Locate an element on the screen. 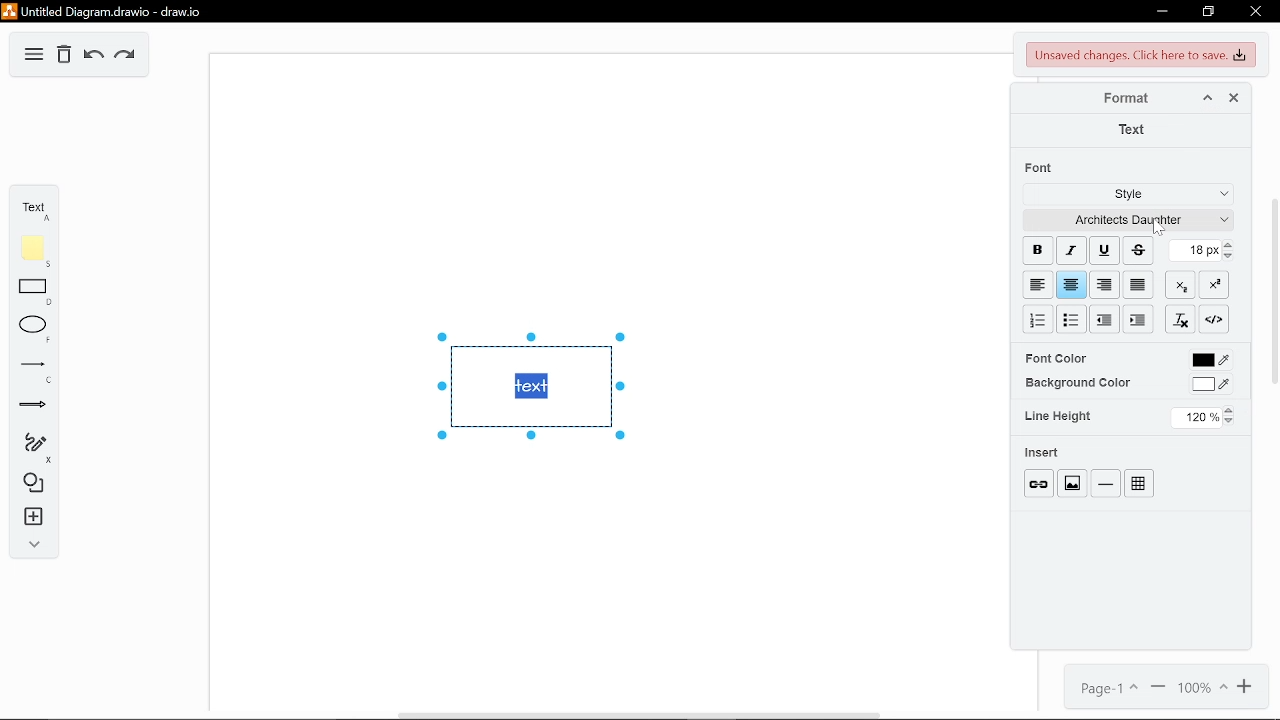 Image resolution: width=1280 pixels, height=720 pixels. bold is located at coordinates (1036, 250).